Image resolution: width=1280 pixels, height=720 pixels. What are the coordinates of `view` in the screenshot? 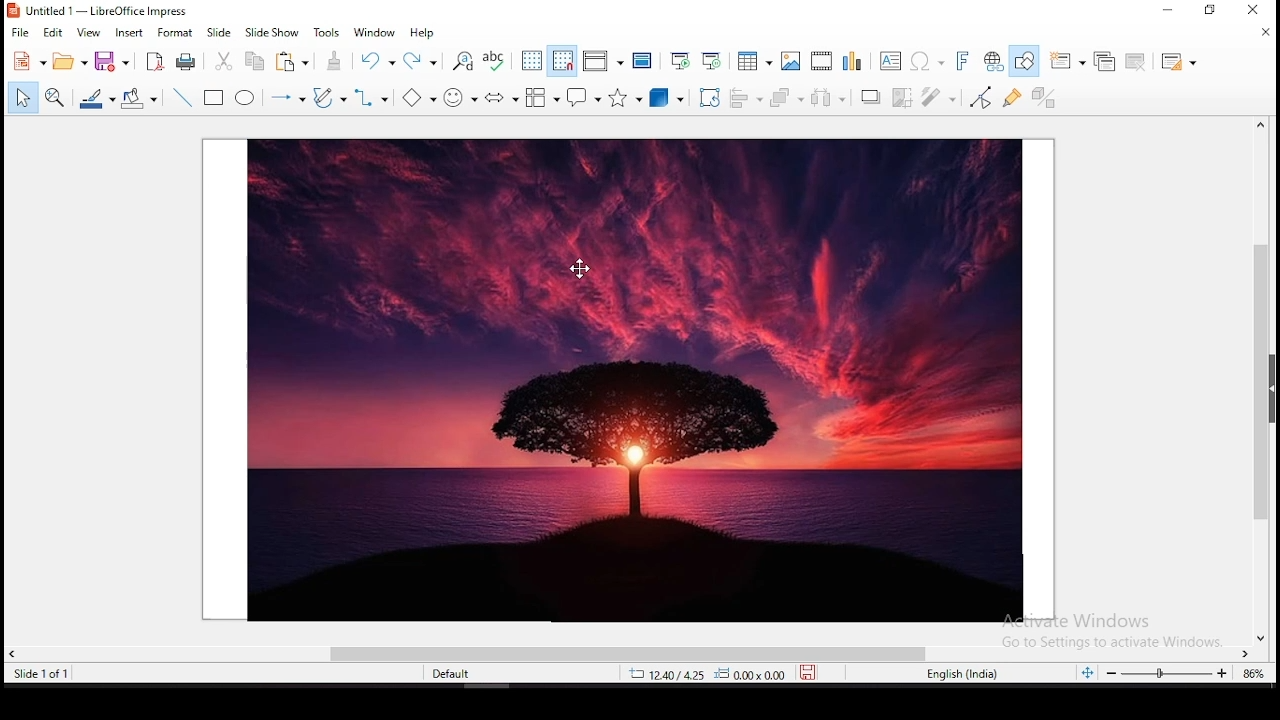 It's located at (89, 33).